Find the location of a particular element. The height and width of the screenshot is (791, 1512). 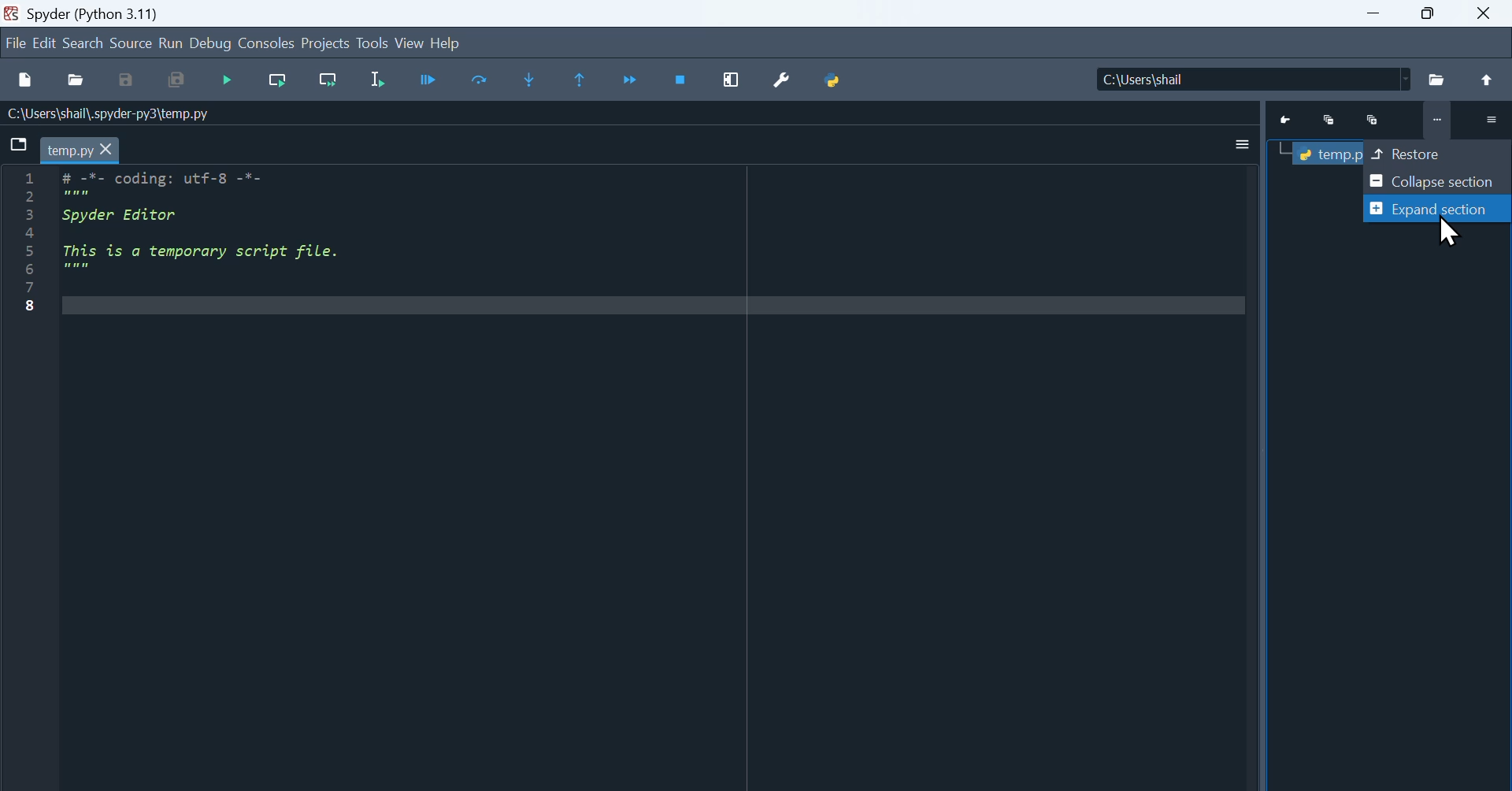

More options is located at coordinates (1243, 145).